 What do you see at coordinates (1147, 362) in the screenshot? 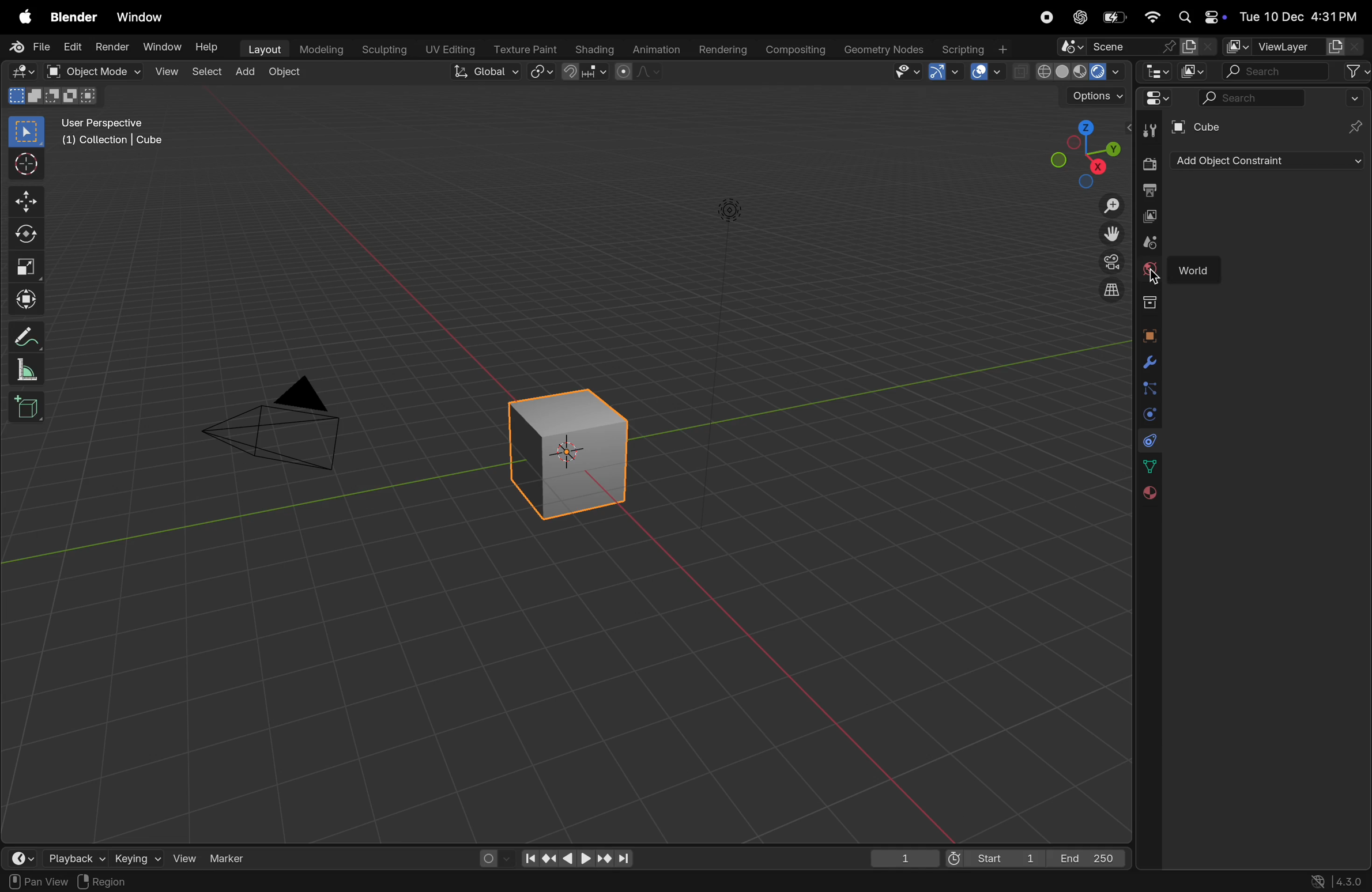
I see `modifiers` at bounding box center [1147, 362].